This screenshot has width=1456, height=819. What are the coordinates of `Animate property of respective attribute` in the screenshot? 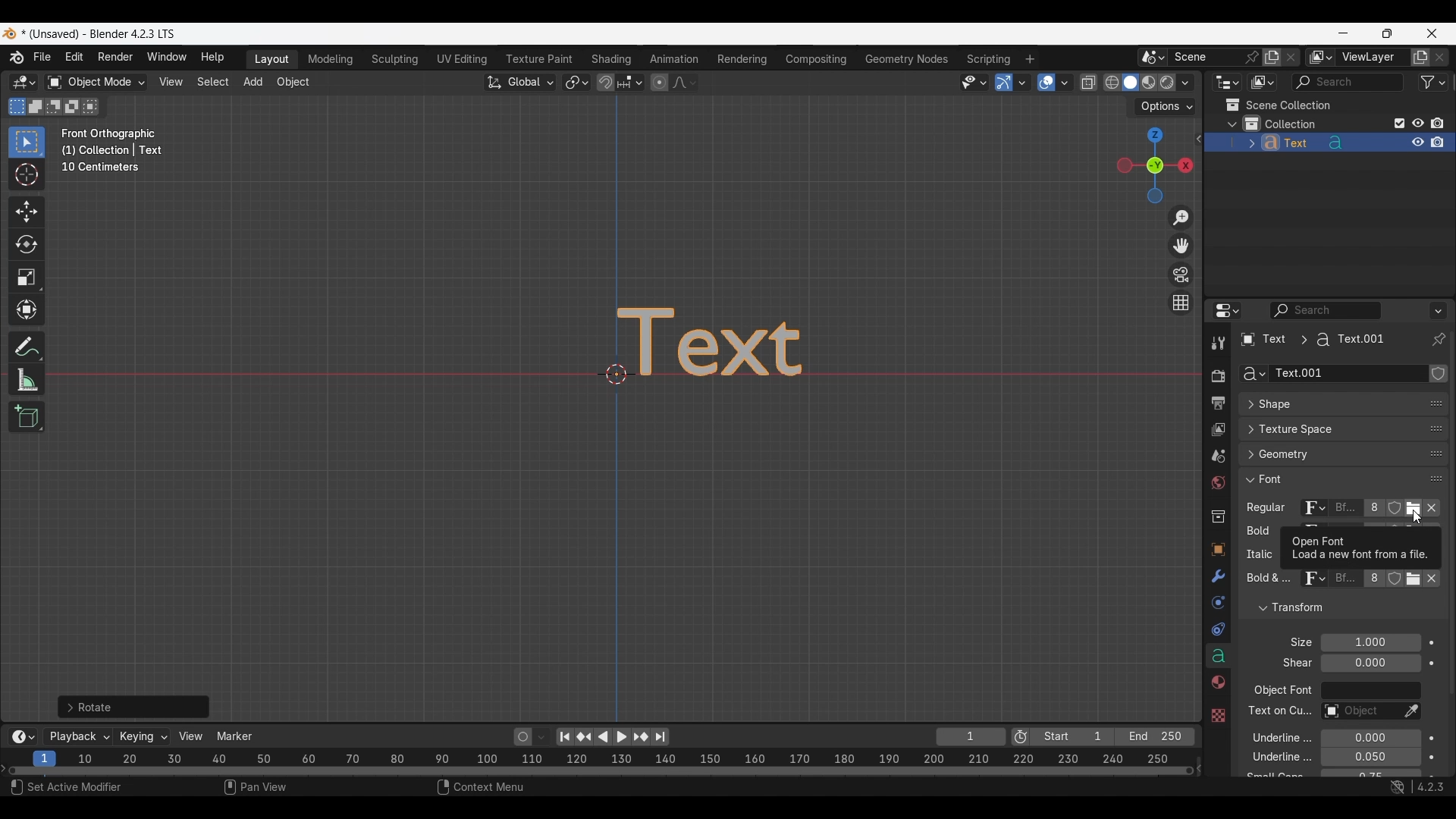 It's located at (1432, 708).